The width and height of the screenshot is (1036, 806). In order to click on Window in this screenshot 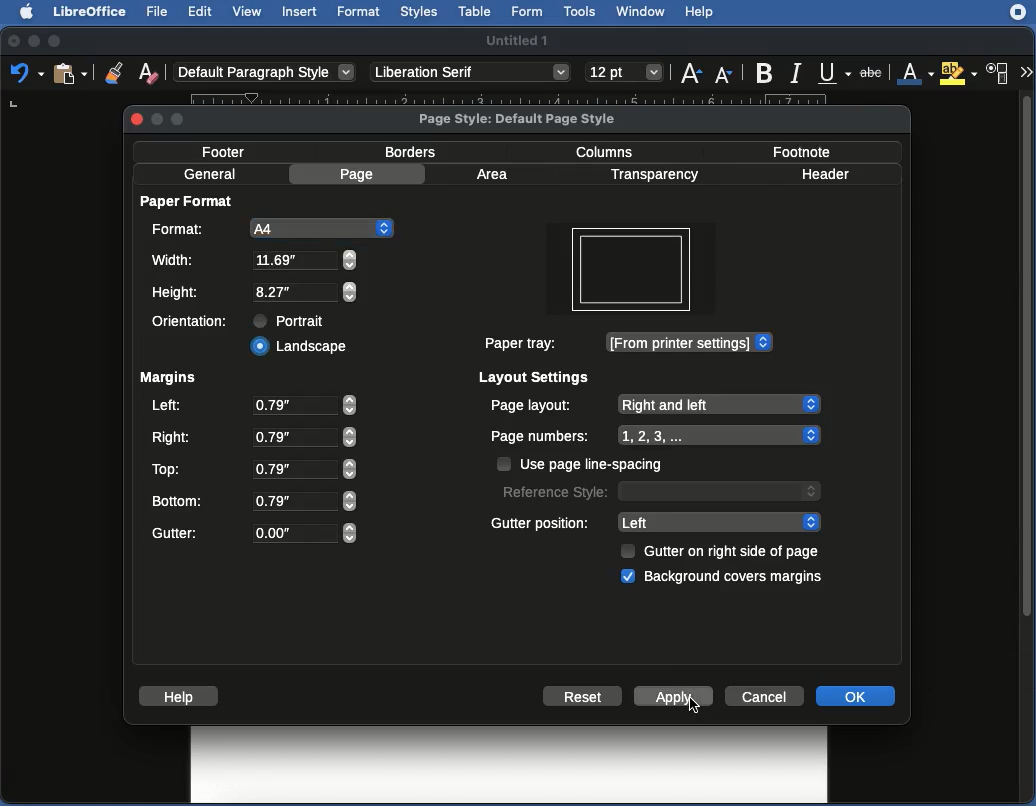, I will do `click(644, 12)`.